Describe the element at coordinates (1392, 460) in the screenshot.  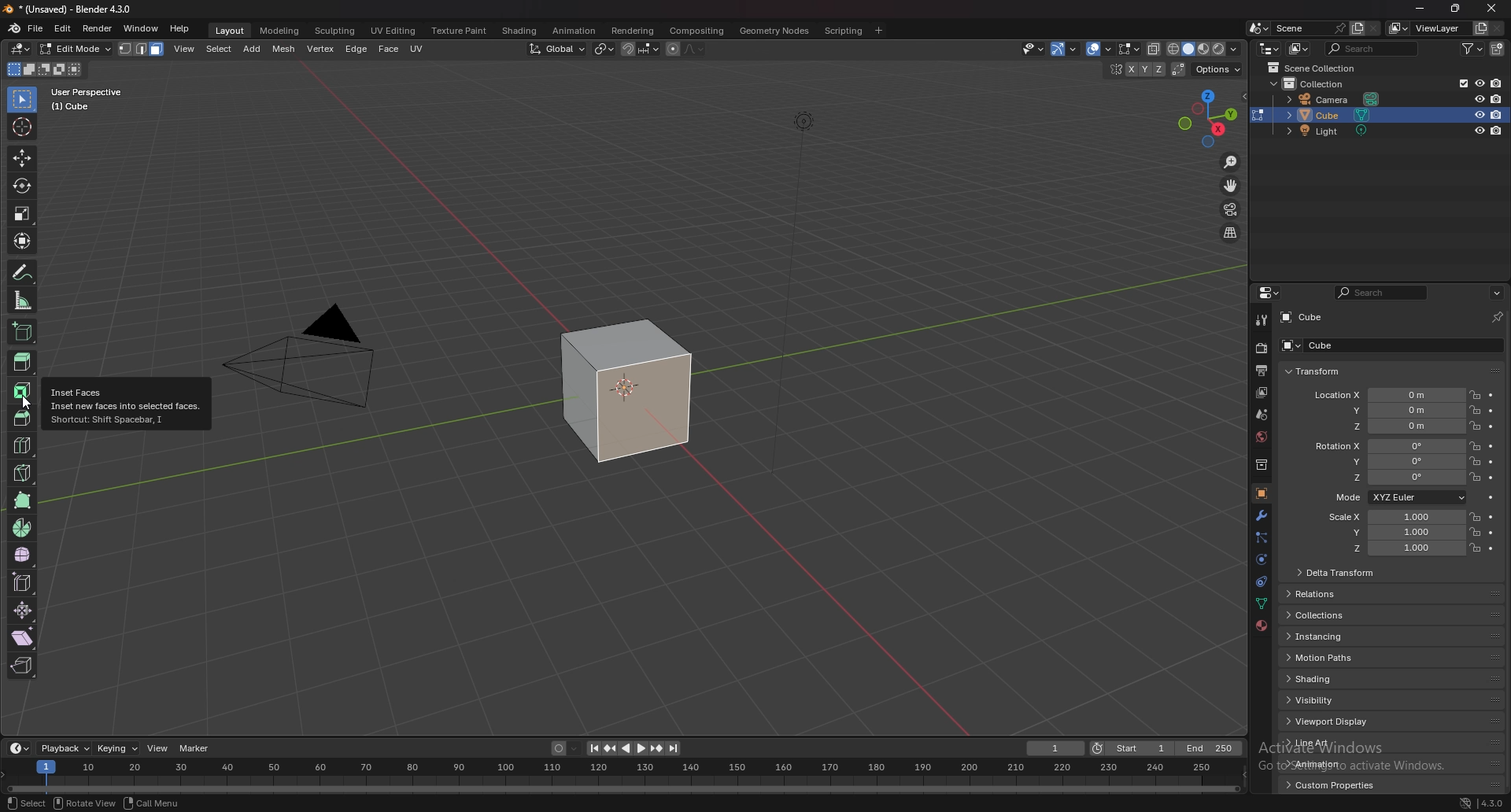
I see `rotation y` at that location.